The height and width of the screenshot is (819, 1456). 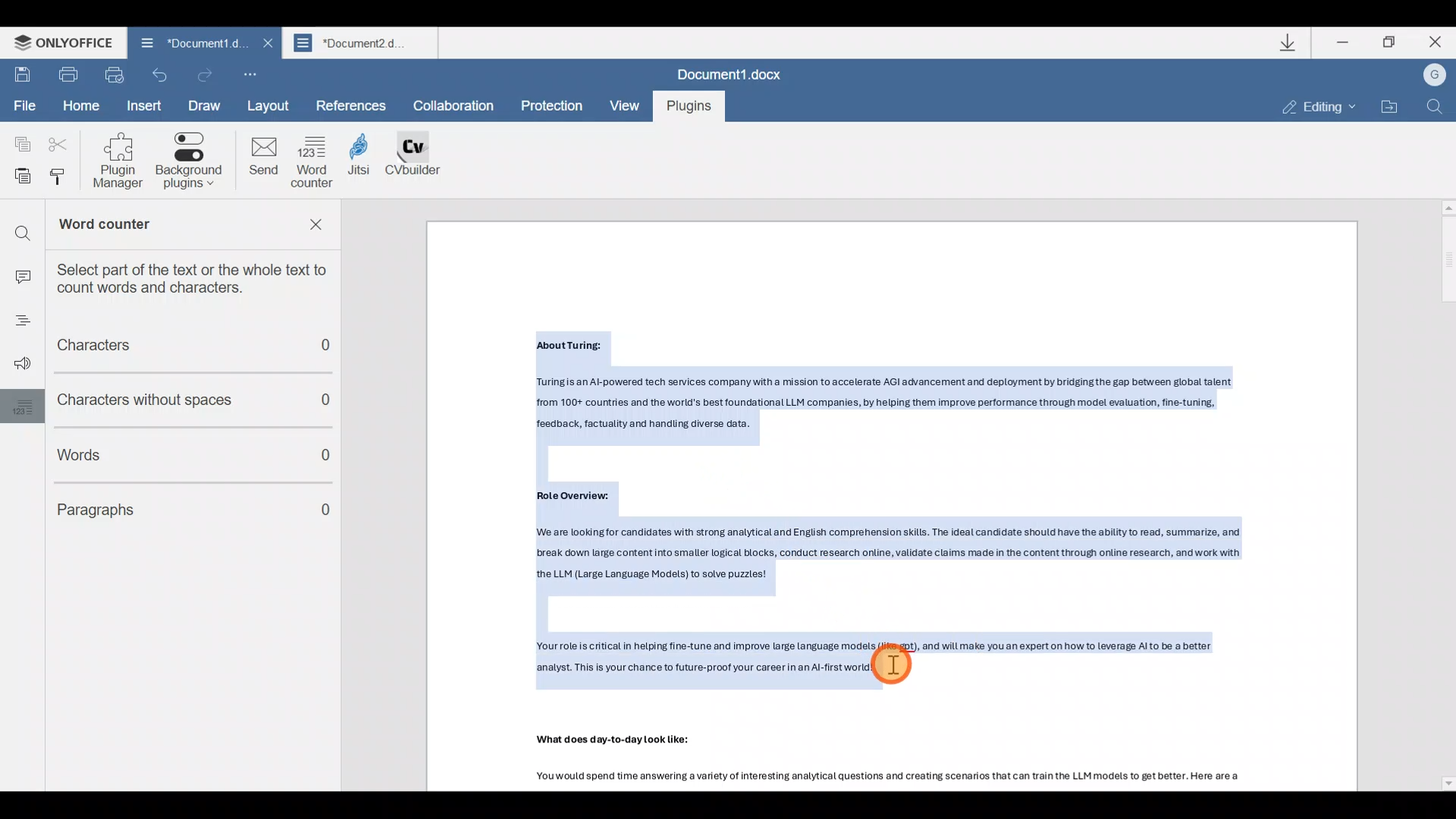 I want to click on Quick print, so click(x=114, y=74).